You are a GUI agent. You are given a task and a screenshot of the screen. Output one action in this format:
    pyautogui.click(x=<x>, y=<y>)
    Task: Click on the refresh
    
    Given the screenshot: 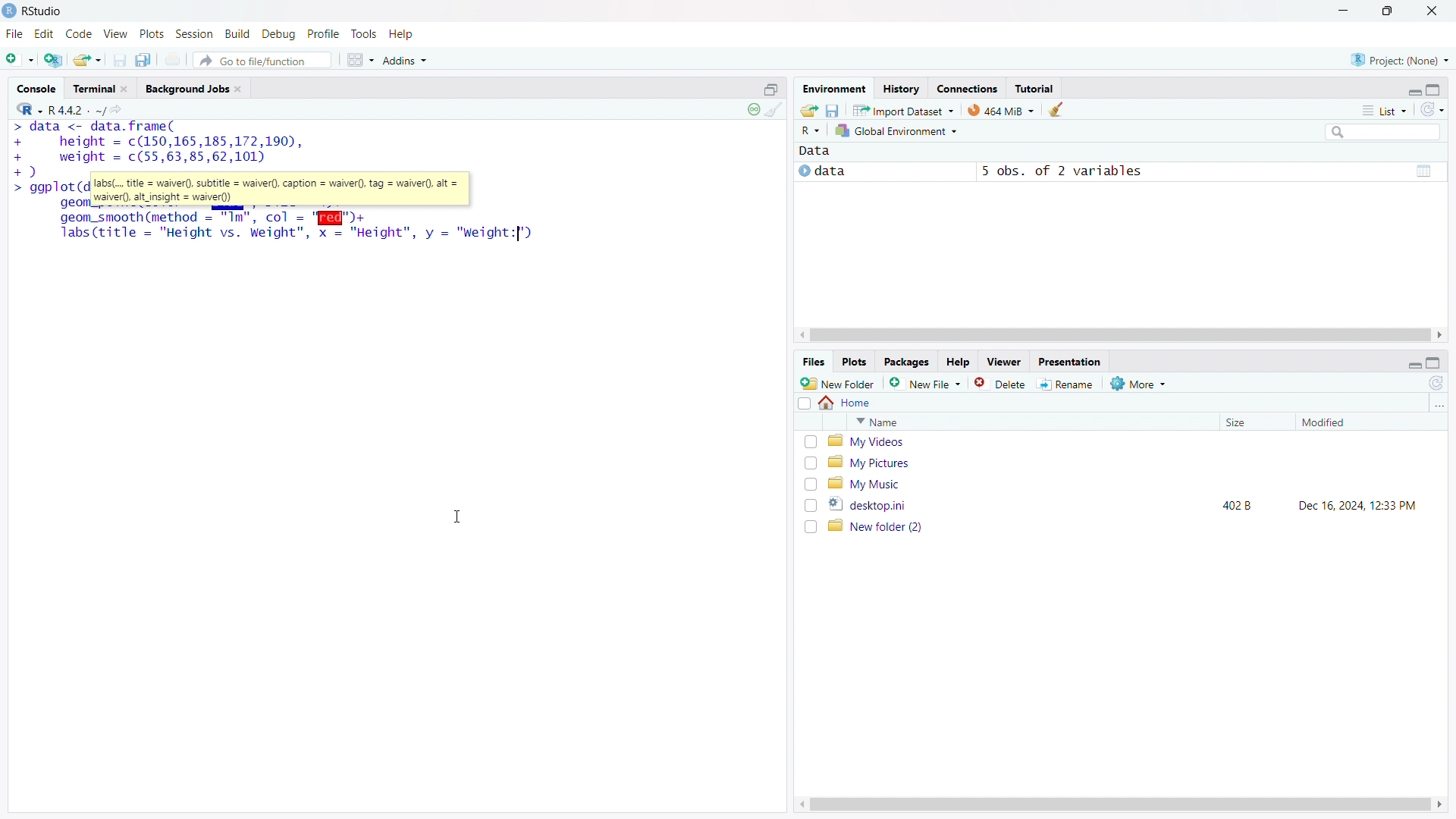 What is the action you would take?
    pyautogui.click(x=1436, y=383)
    